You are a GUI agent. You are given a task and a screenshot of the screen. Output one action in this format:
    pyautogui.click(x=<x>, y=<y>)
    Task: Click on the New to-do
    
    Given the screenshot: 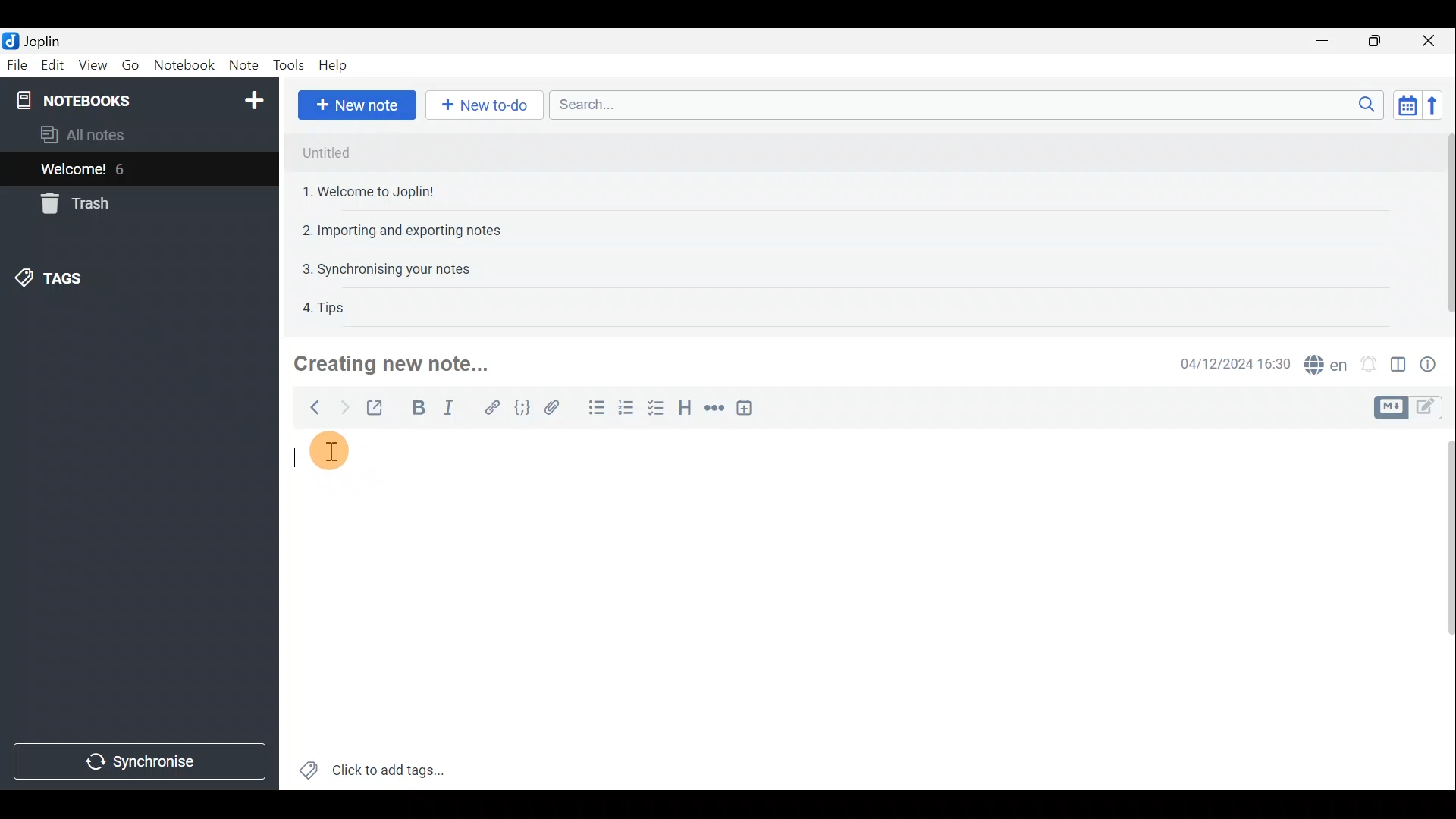 What is the action you would take?
    pyautogui.click(x=480, y=105)
    